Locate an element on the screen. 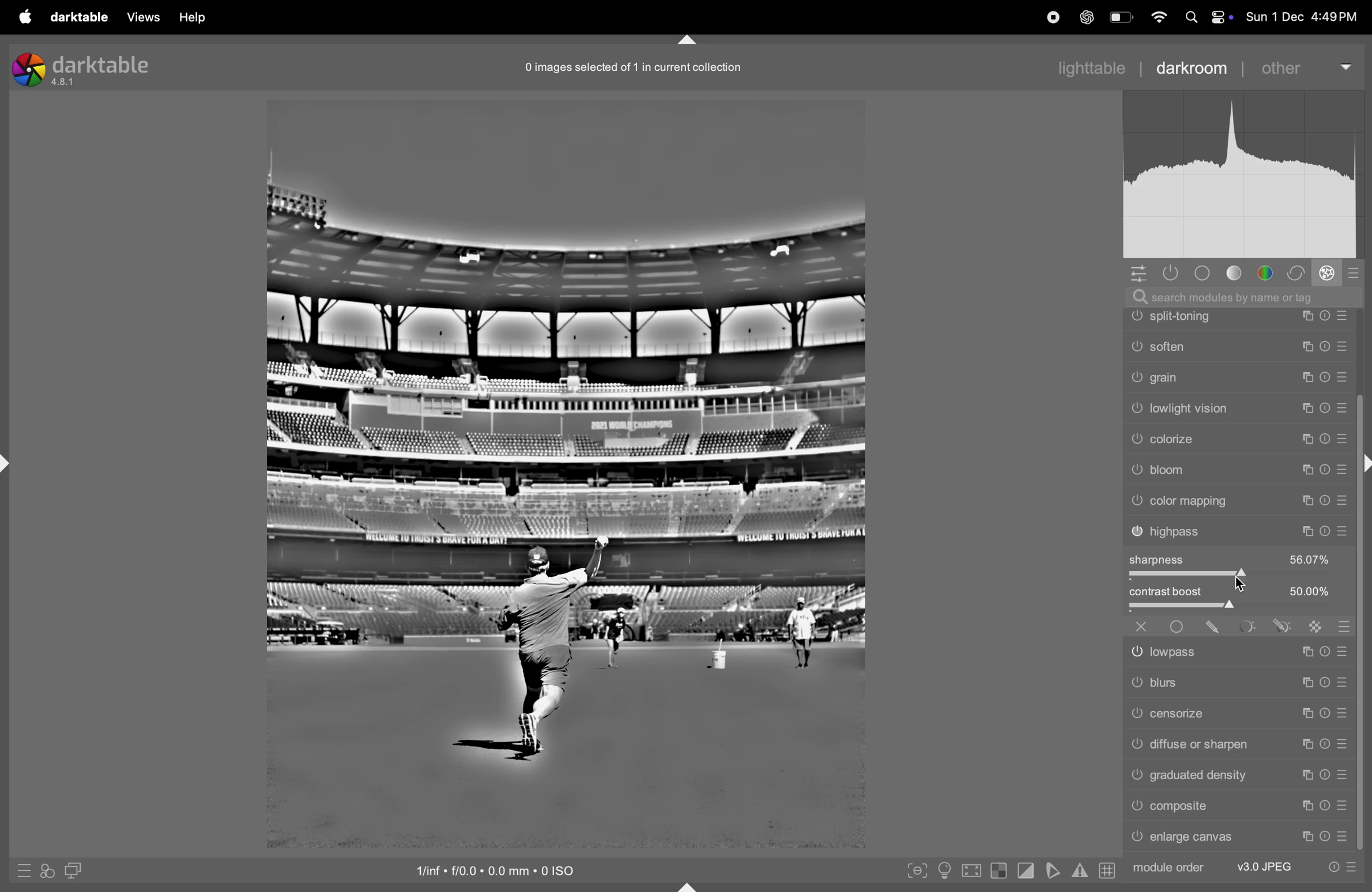  toggle peak focusing mode is located at coordinates (915, 870).